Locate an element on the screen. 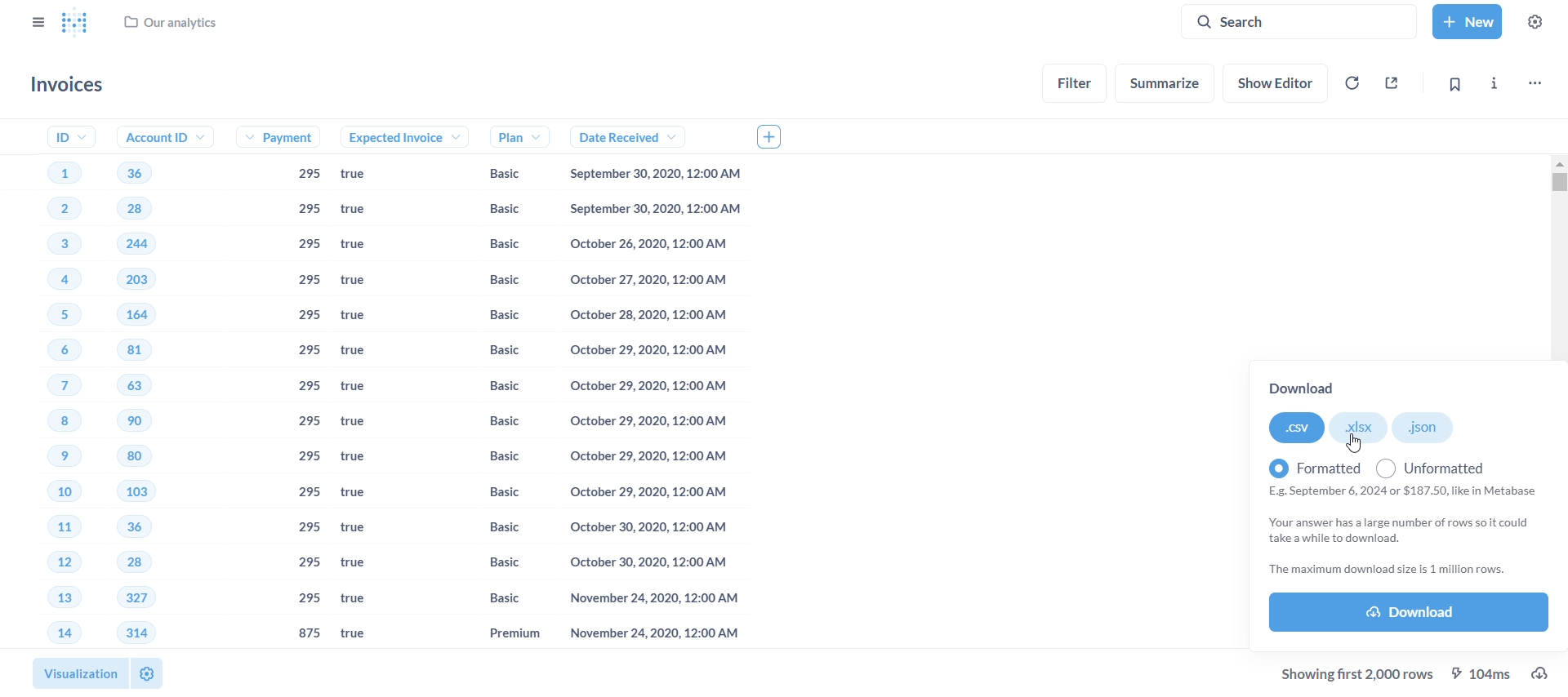 The height and width of the screenshot is (697, 1568). filter is located at coordinates (1076, 82).